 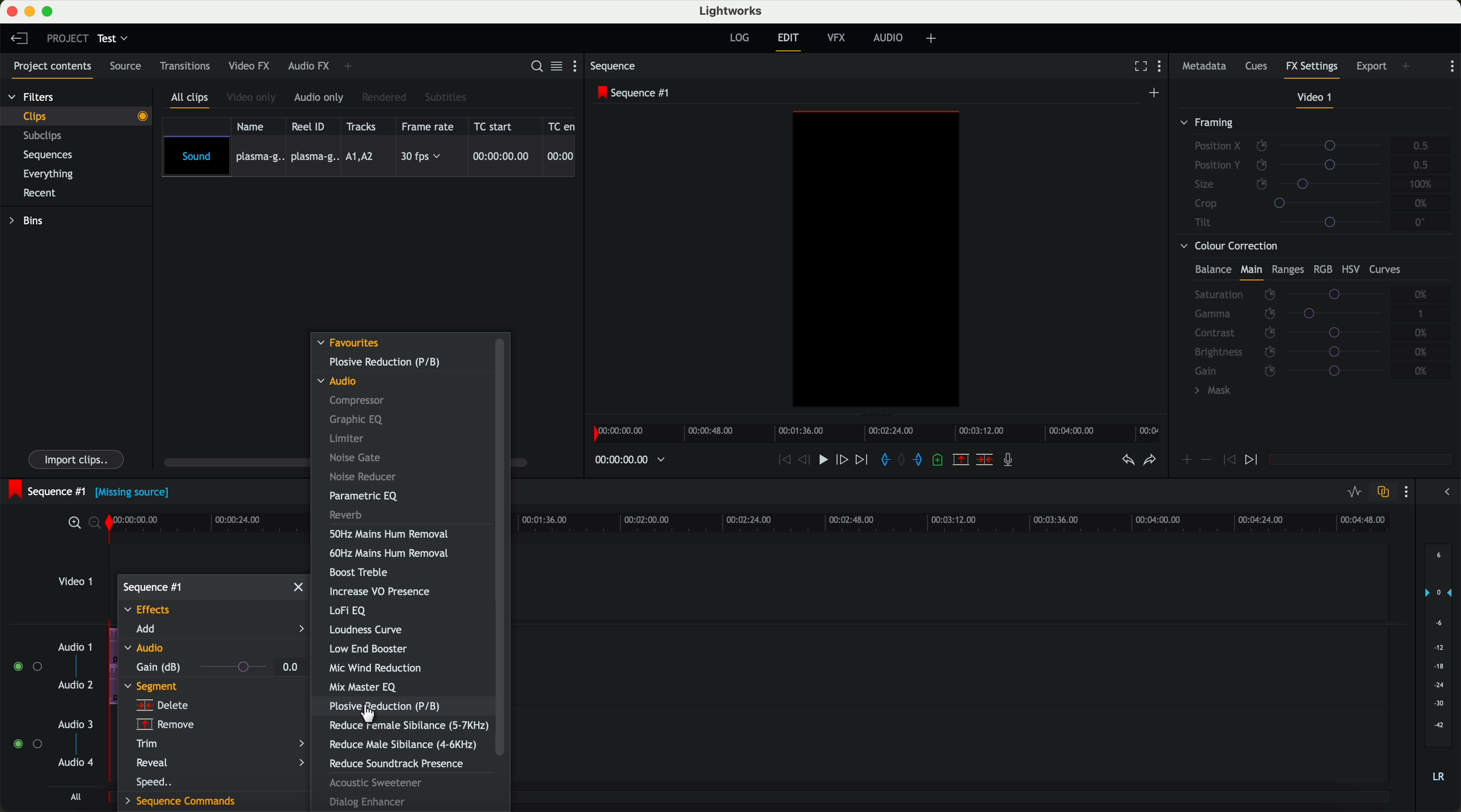 I want to click on everything, so click(x=54, y=173).